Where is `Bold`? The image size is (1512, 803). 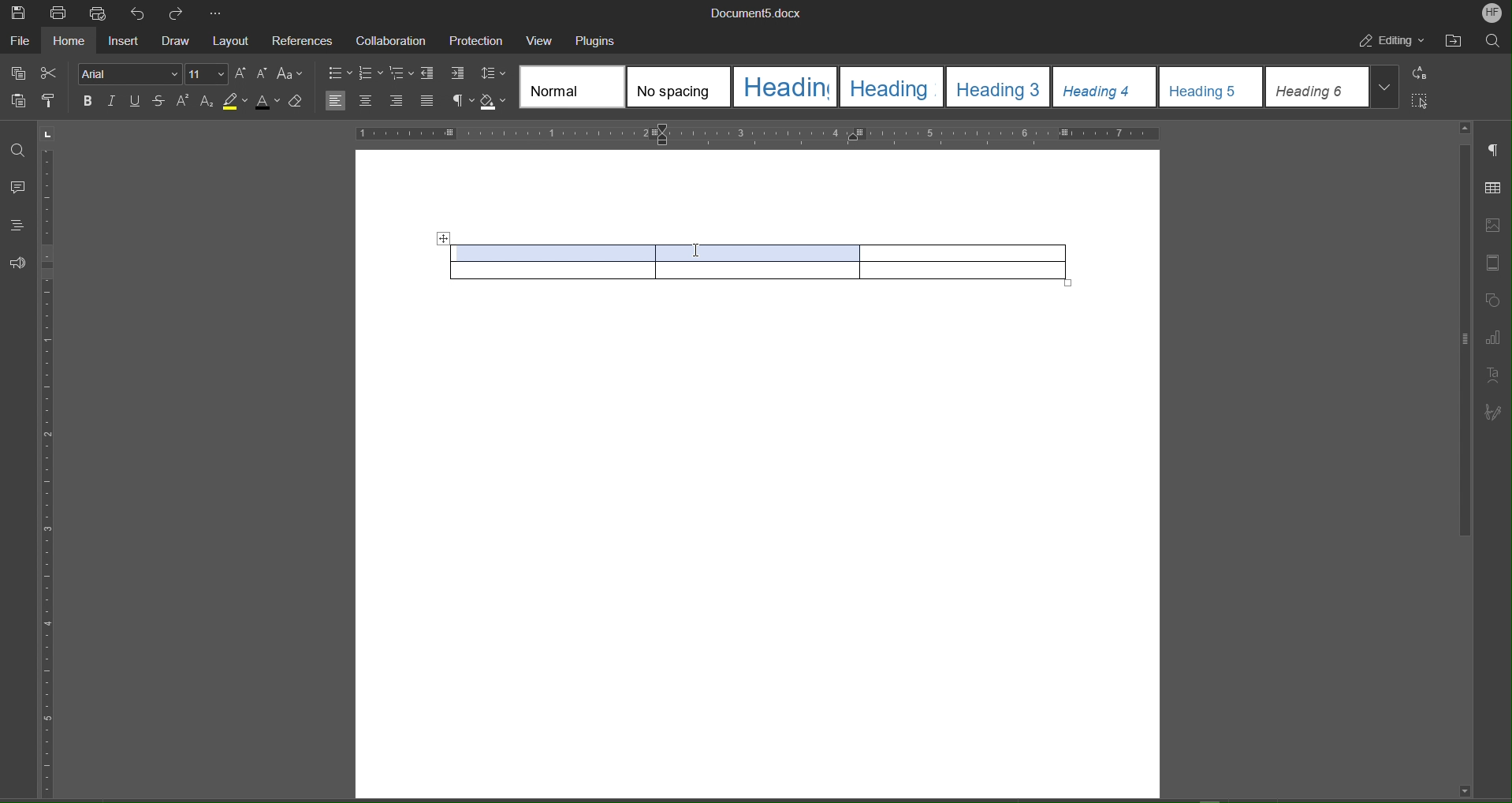 Bold is located at coordinates (88, 102).